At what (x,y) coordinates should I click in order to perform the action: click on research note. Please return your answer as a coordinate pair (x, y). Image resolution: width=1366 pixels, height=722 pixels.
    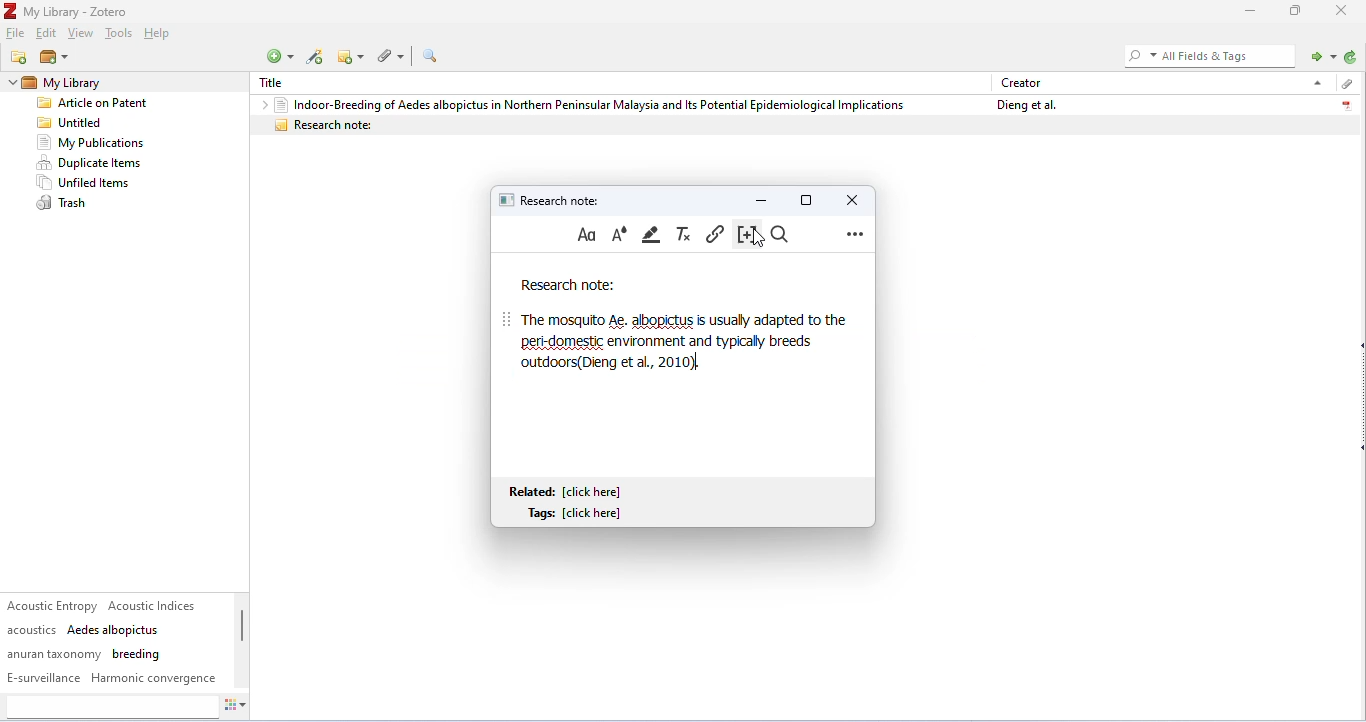
    Looking at the image, I should click on (568, 286).